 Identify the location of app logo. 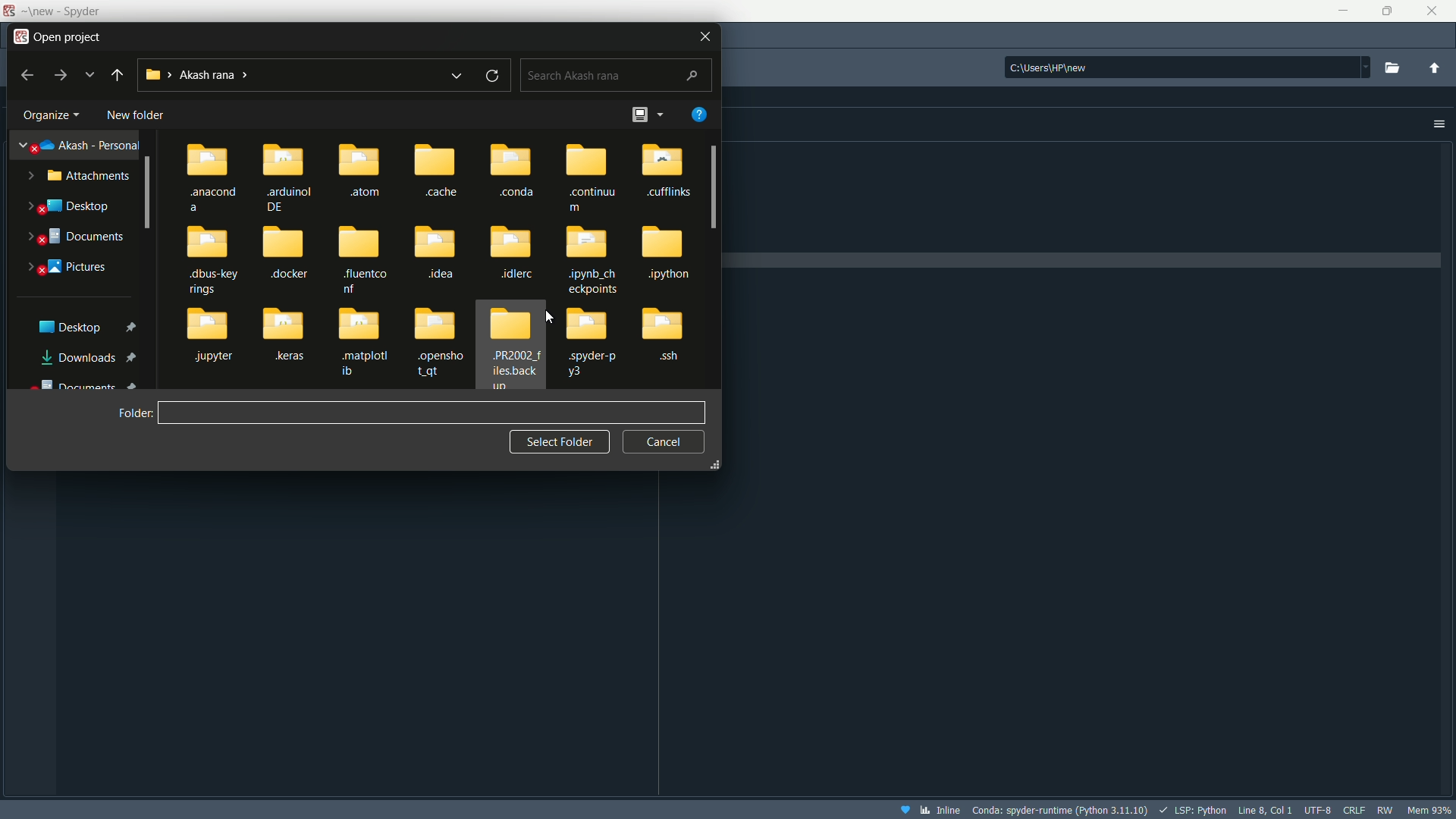
(20, 35).